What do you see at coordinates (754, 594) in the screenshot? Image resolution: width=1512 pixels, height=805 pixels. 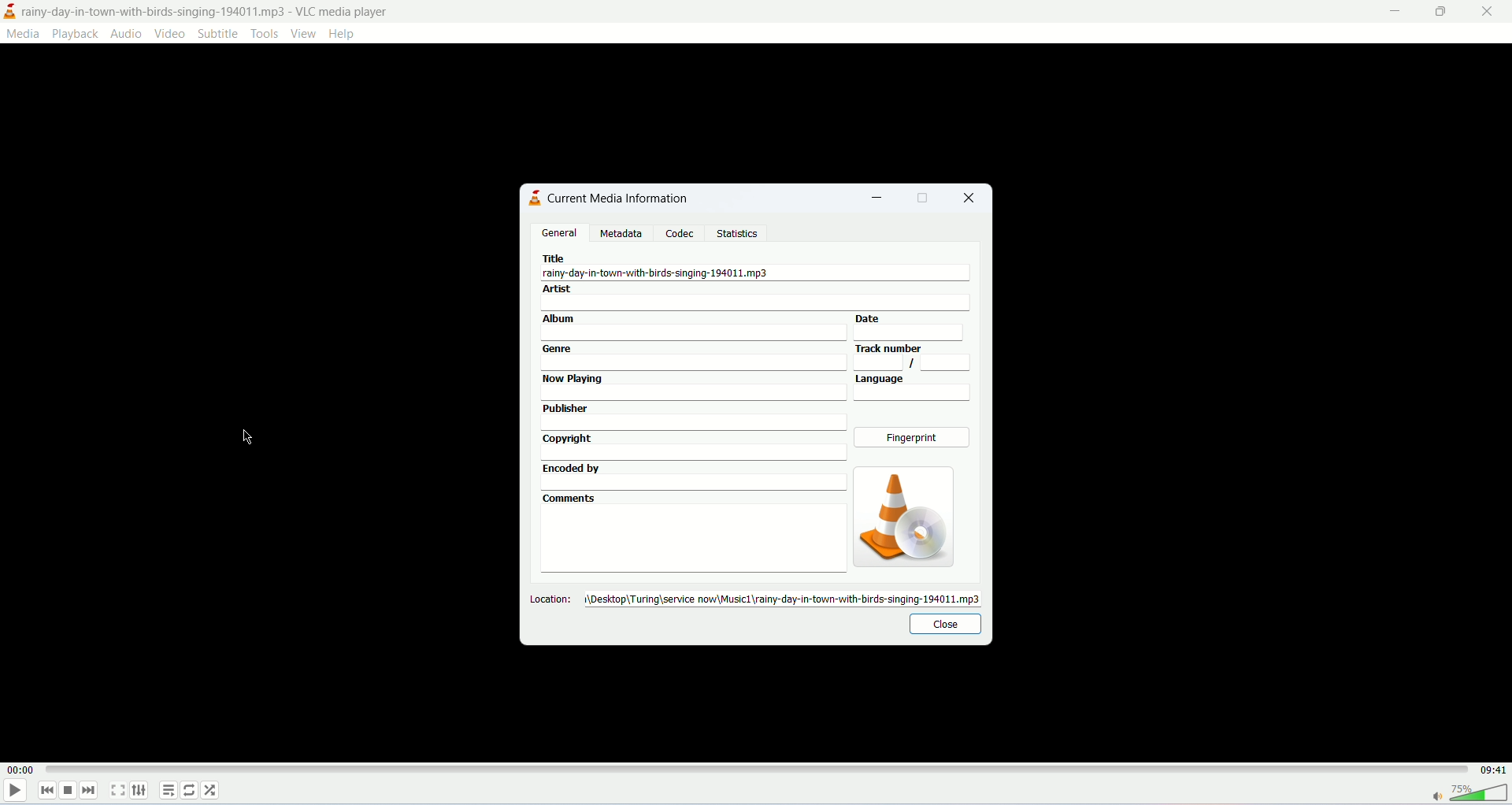 I see `Location:  1\Desktop\Turing\service now\Music1\rainy-day-in-town-with-birds-singing-194011.mp3` at bounding box center [754, 594].